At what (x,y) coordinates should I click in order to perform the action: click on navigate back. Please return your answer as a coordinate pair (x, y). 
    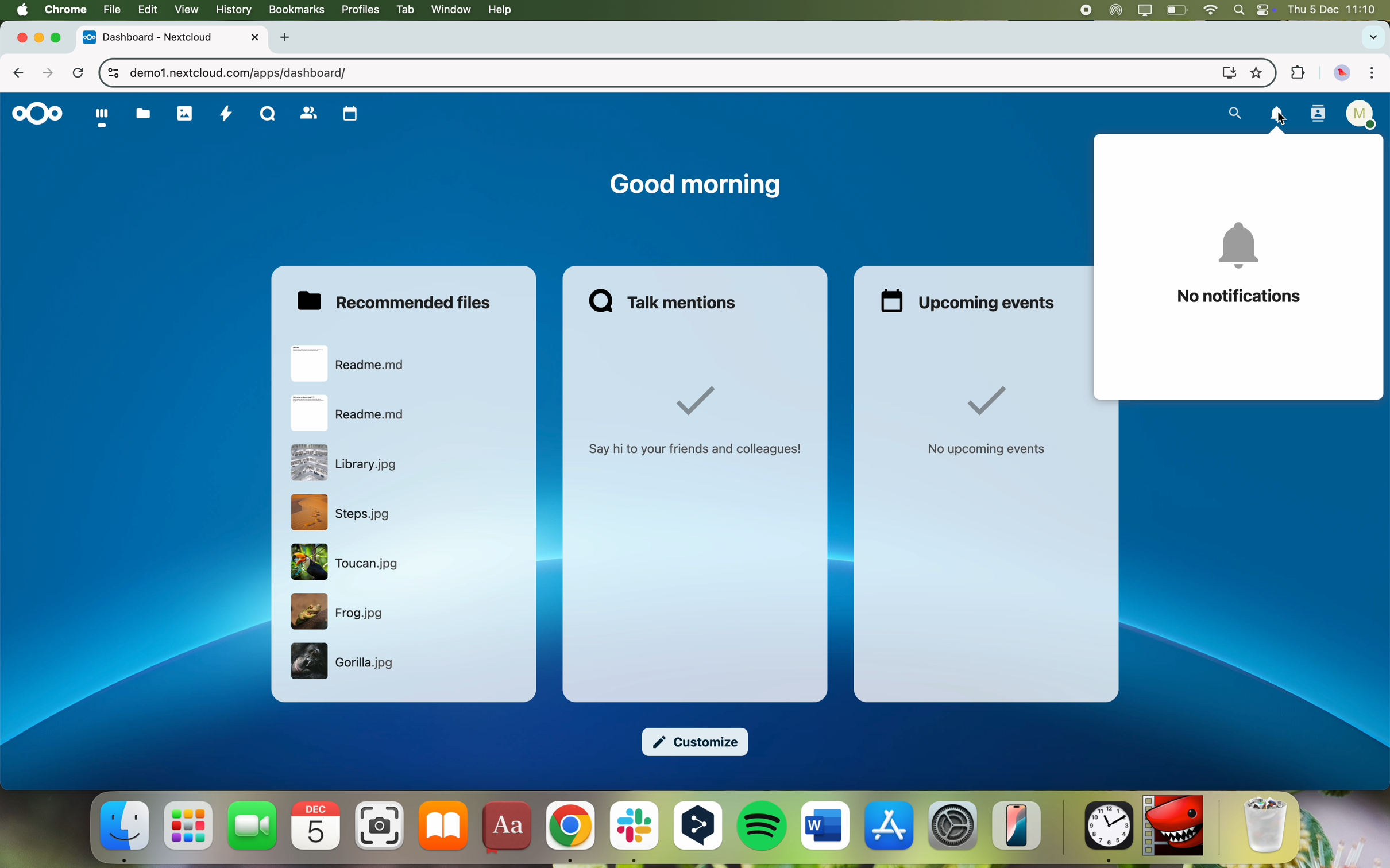
    Looking at the image, I should click on (24, 75).